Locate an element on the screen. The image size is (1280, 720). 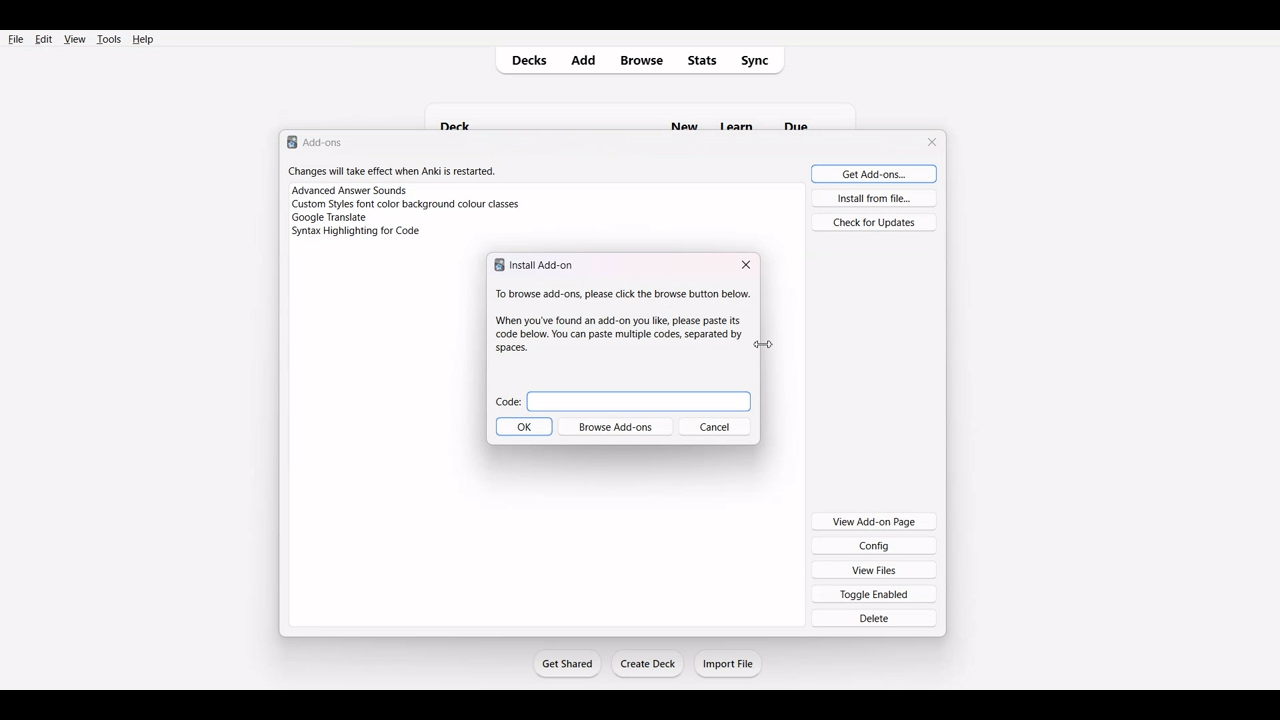
Get Add-ons is located at coordinates (870, 173).